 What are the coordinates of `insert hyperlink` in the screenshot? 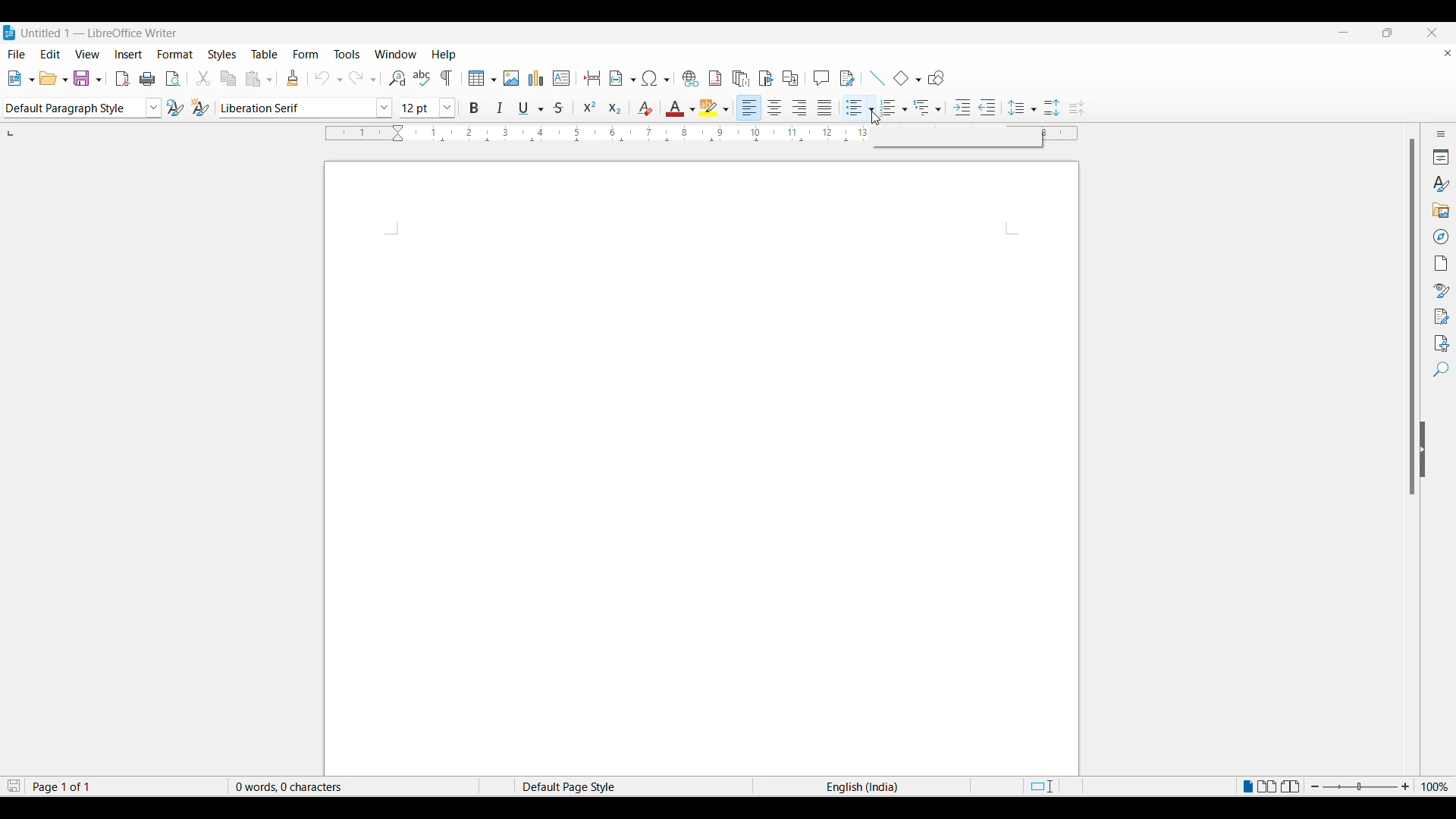 It's located at (689, 78).